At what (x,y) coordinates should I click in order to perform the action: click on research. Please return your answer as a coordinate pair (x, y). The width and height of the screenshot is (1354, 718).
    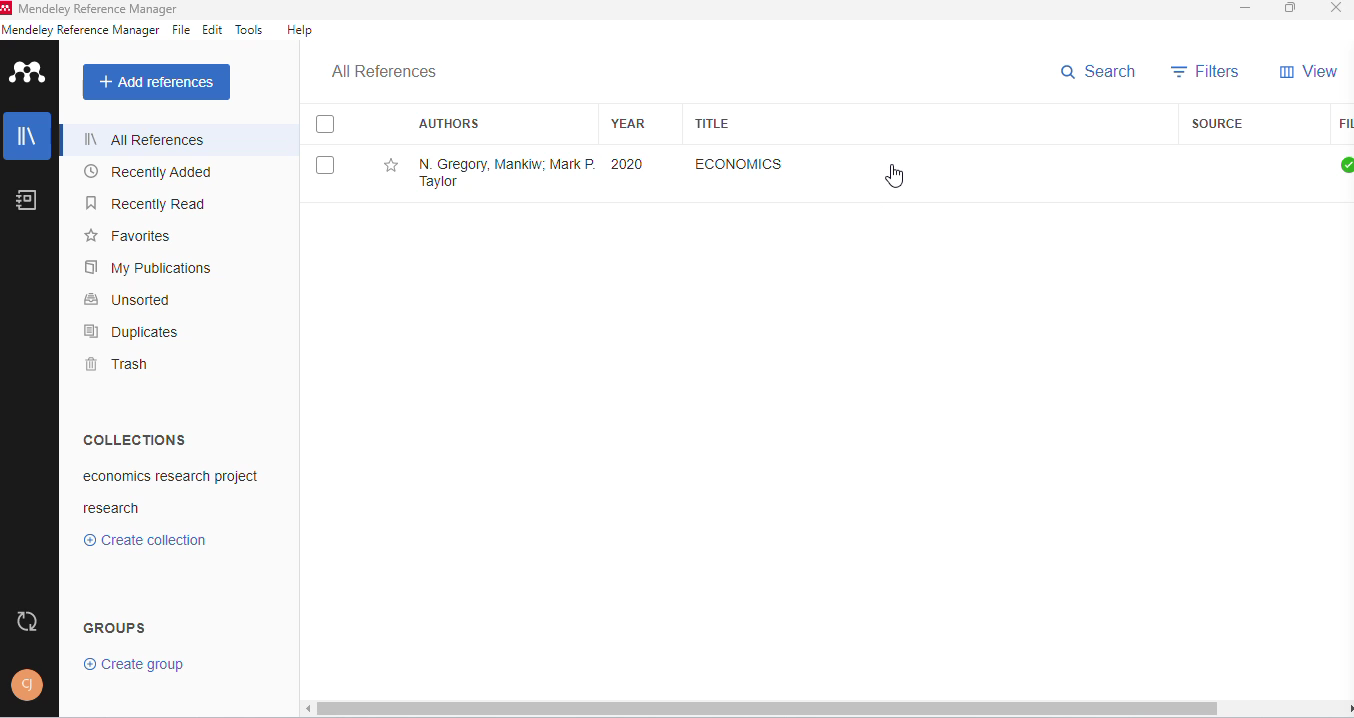
    Looking at the image, I should click on (111, 507).